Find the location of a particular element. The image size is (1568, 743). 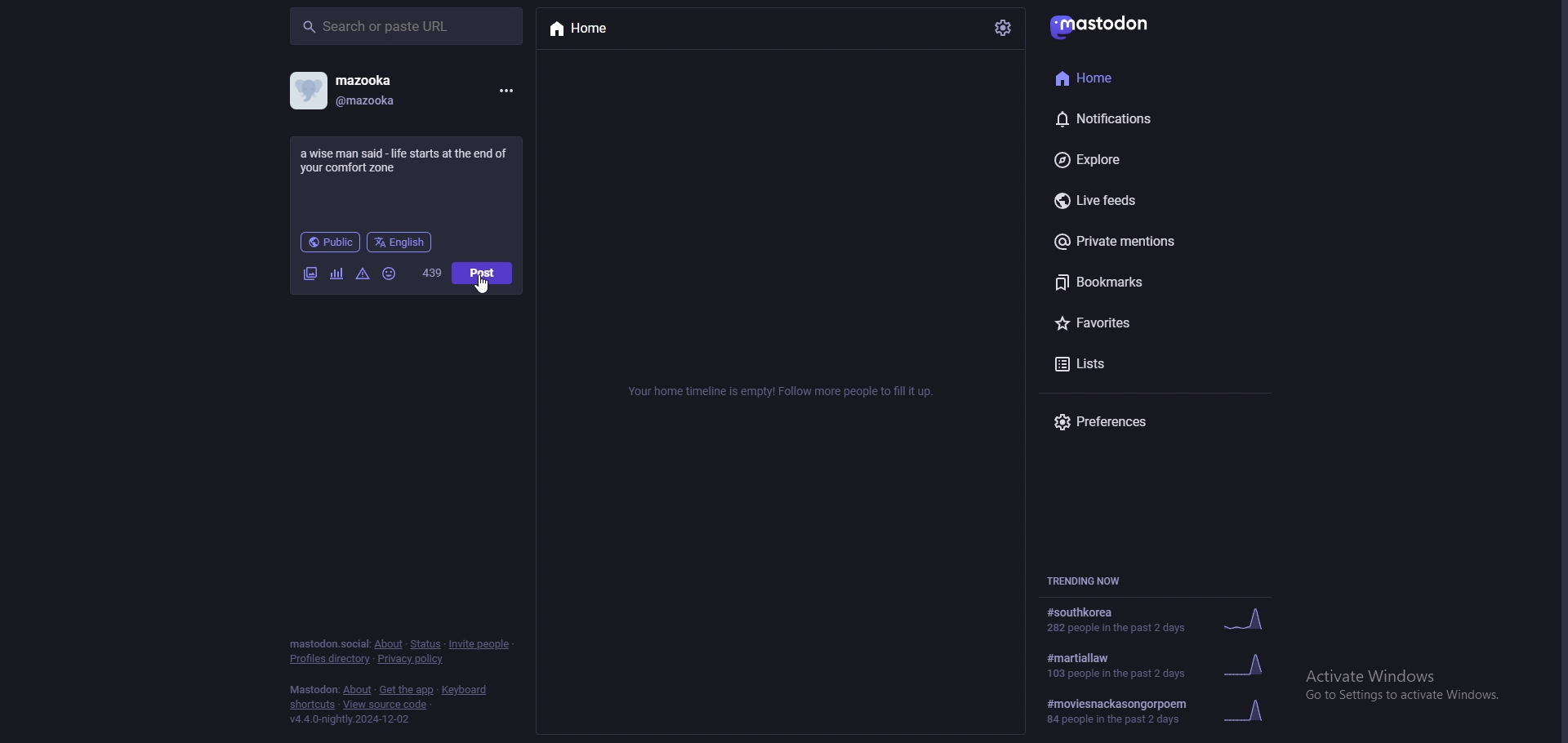

cursor is located at coordinates (481, 283).